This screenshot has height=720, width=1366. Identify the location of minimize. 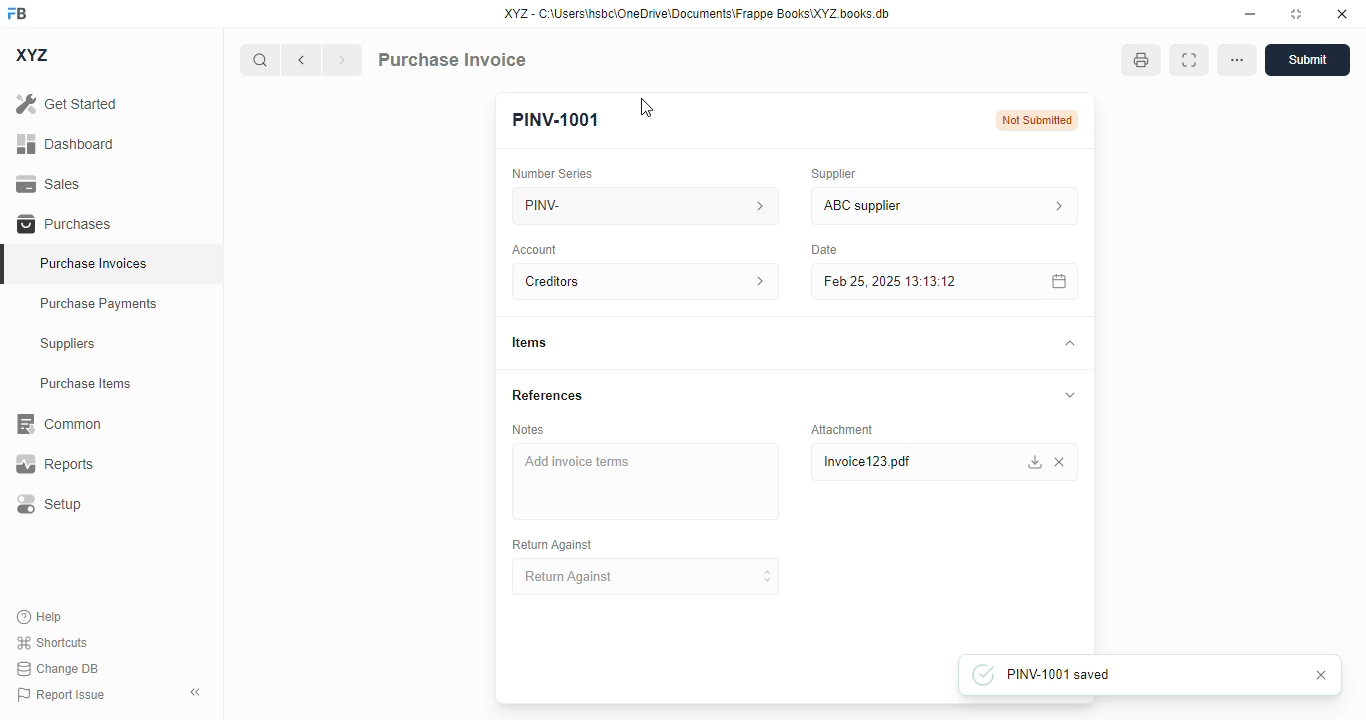
(1250, 13).